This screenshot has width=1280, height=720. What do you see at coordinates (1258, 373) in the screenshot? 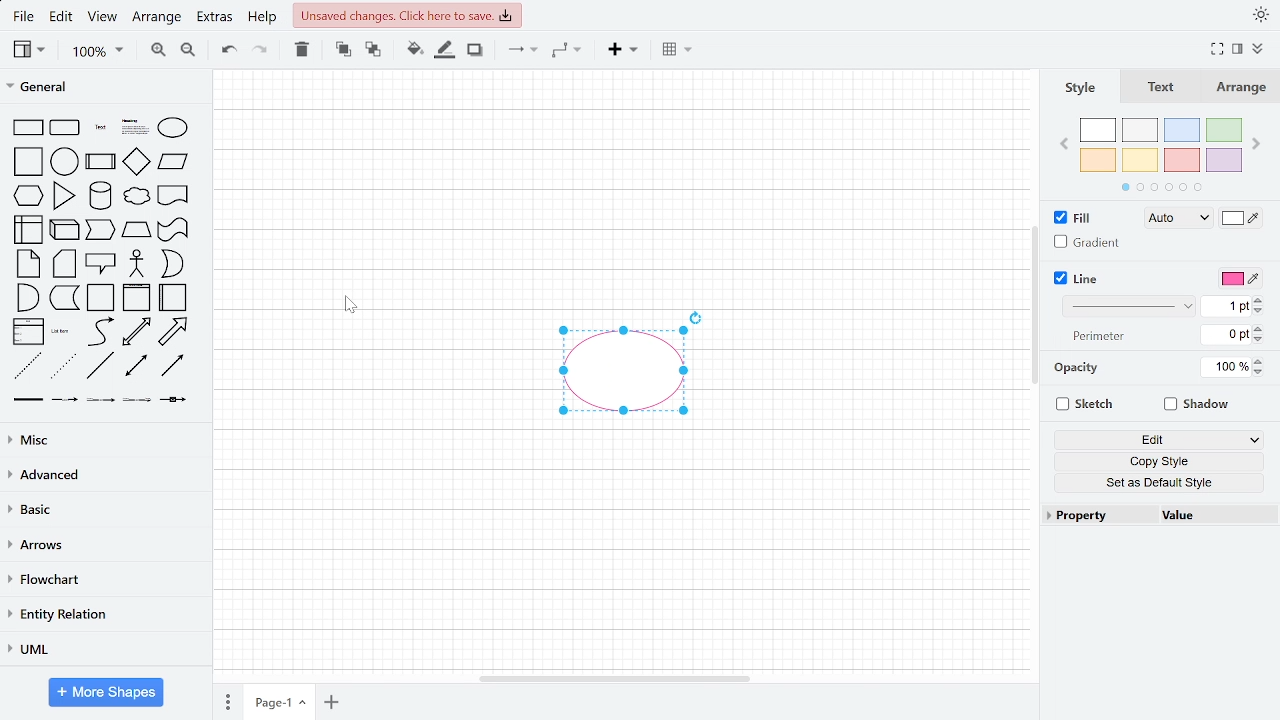
I see `decrease opacity` at bounding box center [1258, 373].